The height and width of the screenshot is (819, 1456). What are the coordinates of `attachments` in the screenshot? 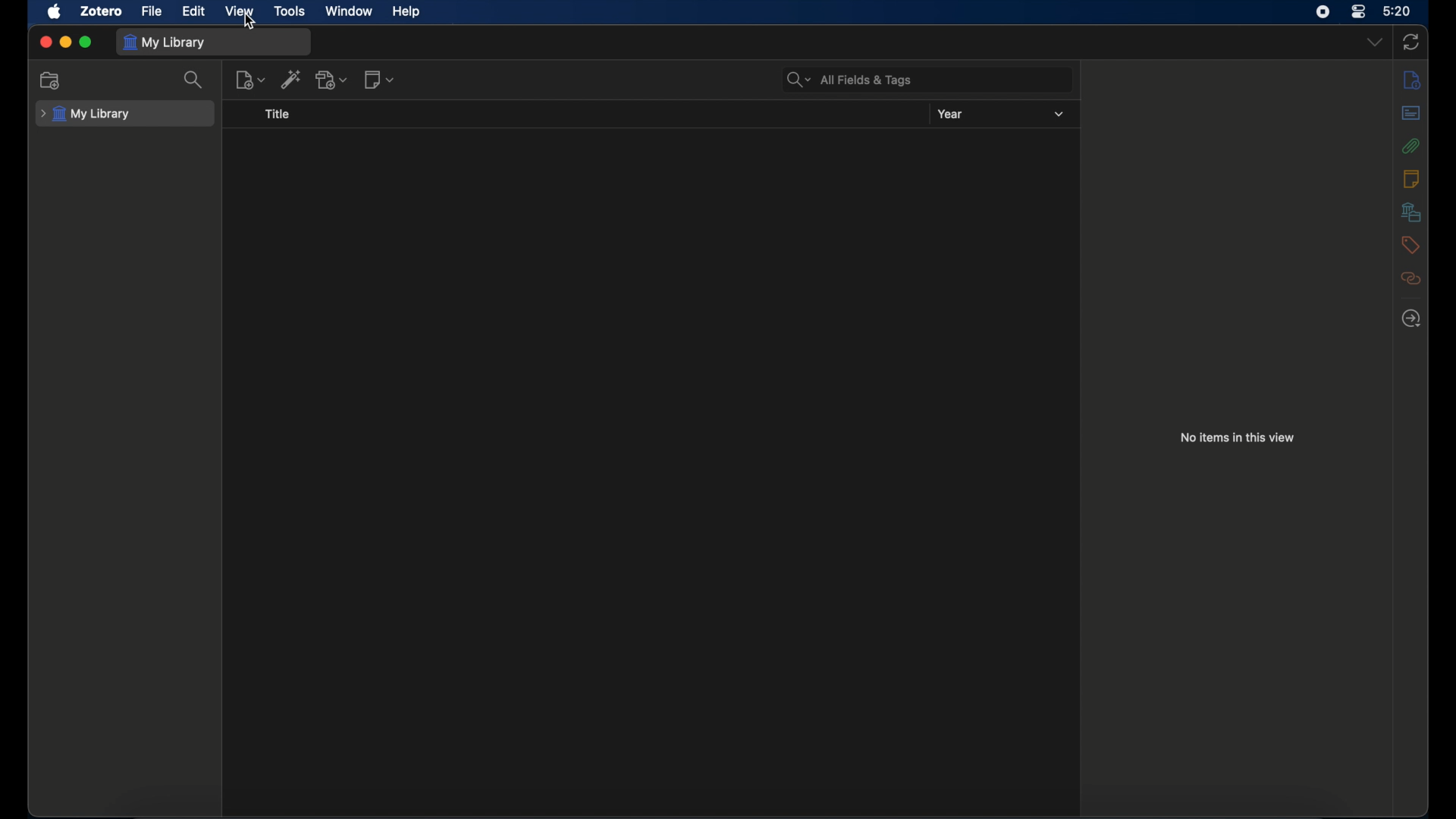 It's located at (1411, 145).